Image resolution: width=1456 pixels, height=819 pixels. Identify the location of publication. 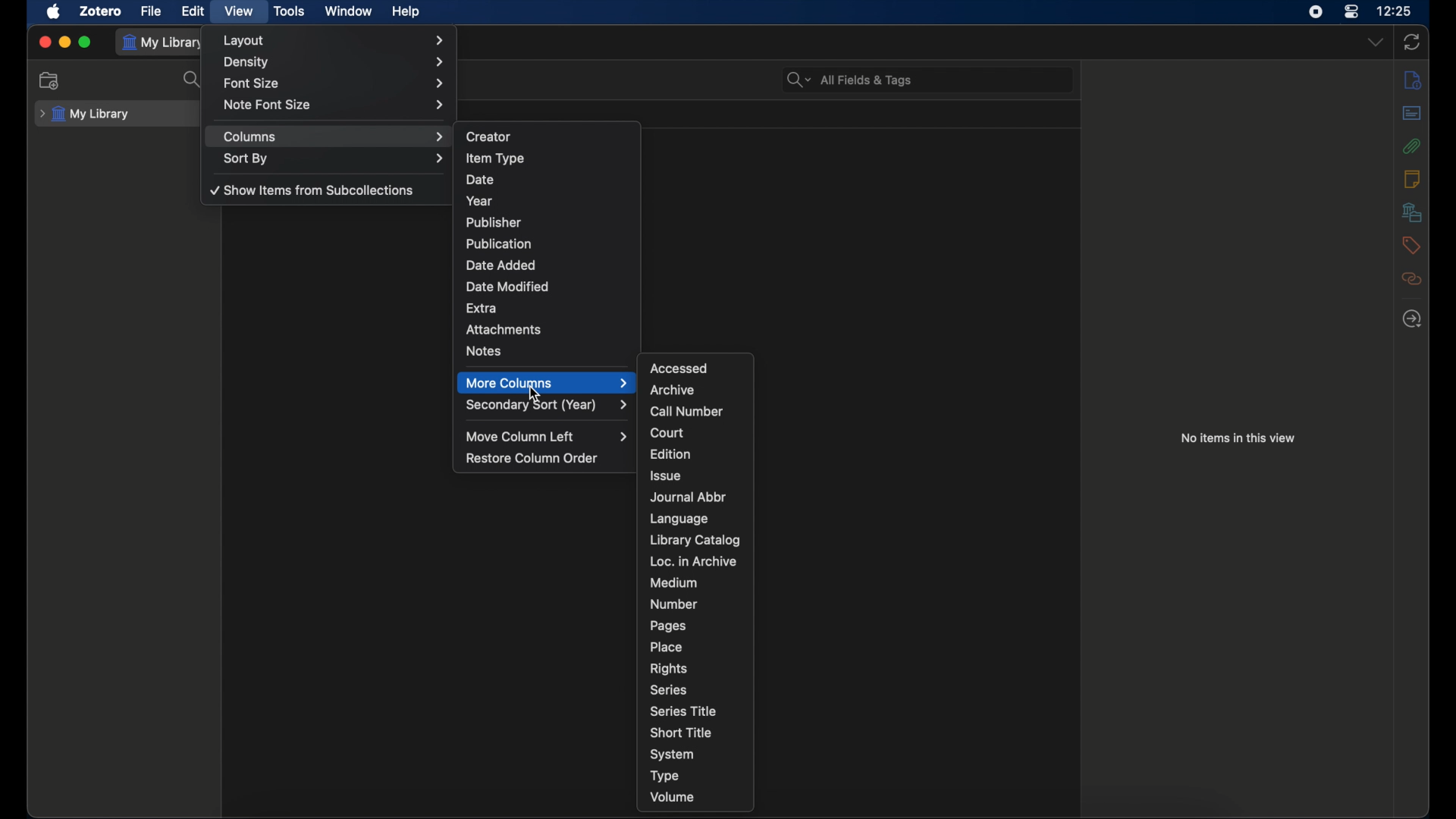
(499, 243).